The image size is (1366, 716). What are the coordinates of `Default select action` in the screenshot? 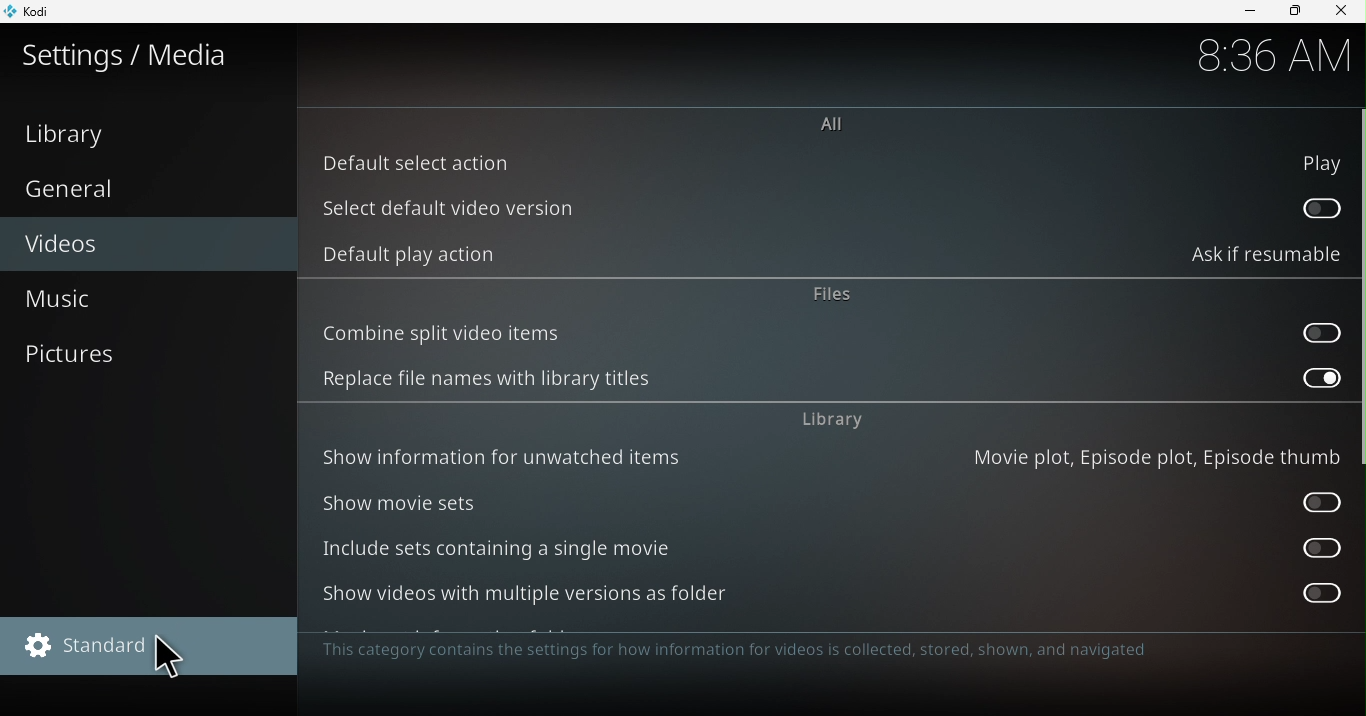 It's located at (827, 164).